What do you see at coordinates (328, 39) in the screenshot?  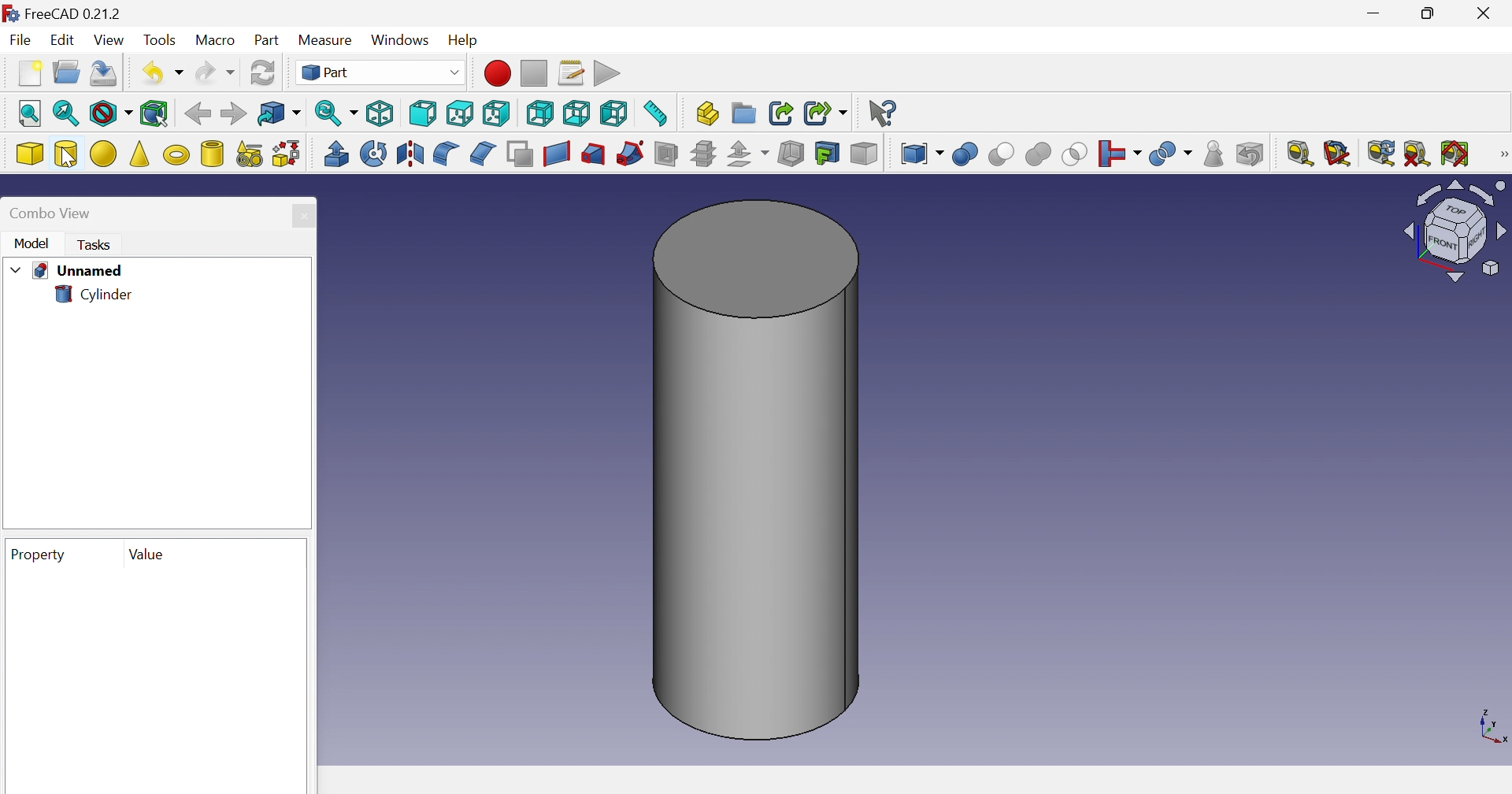 I see `Measure` at bounding box center [328, 39].